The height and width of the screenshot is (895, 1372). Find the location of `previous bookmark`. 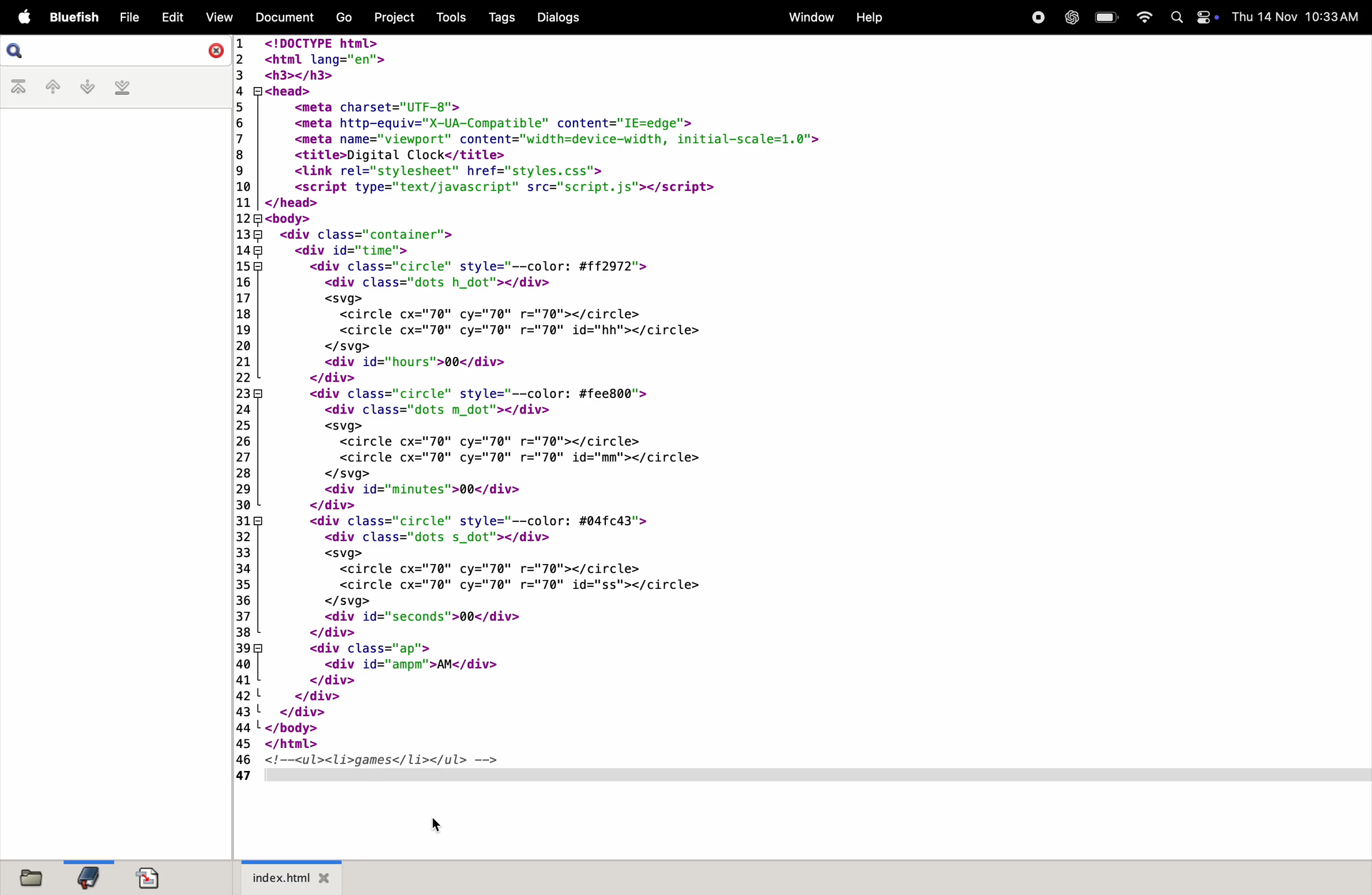

previous bookmark is located at coordinates (49, 87).